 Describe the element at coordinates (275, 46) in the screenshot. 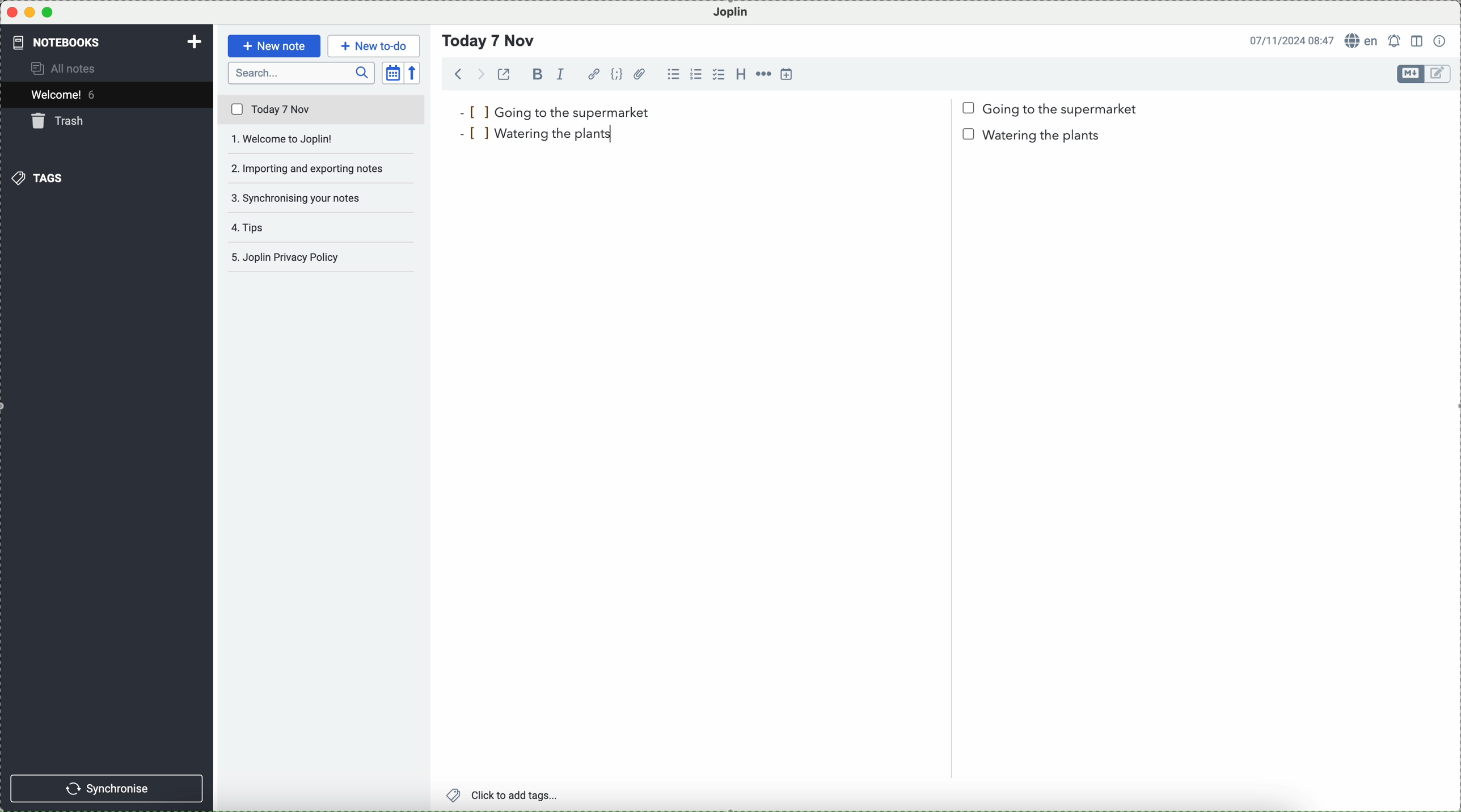

I see `new note button` at that location.